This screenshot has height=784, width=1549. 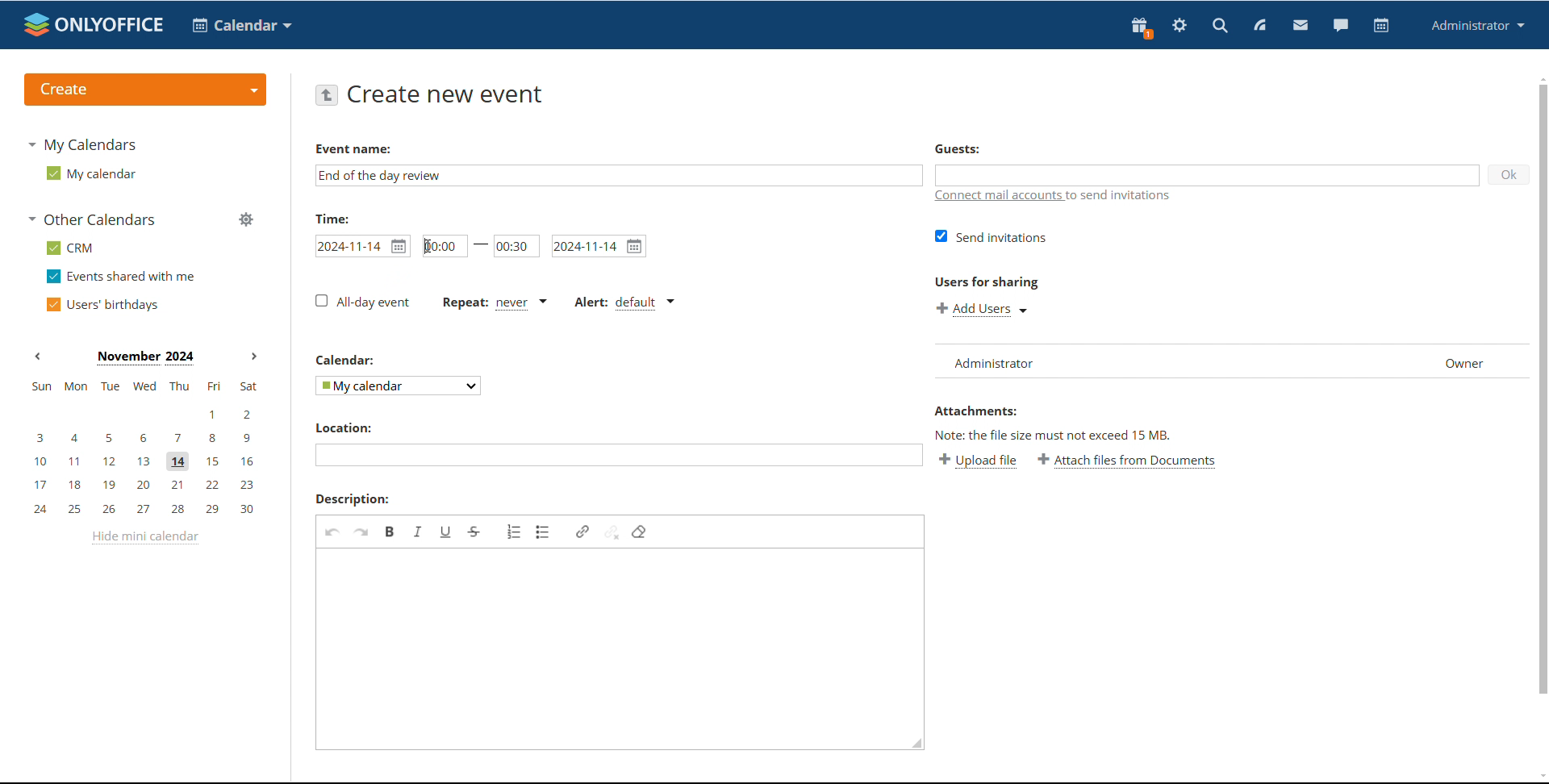 What do you see at coordinates (326, 94) in the screenshot?
I see `go back` at bounding box center [326, 94].